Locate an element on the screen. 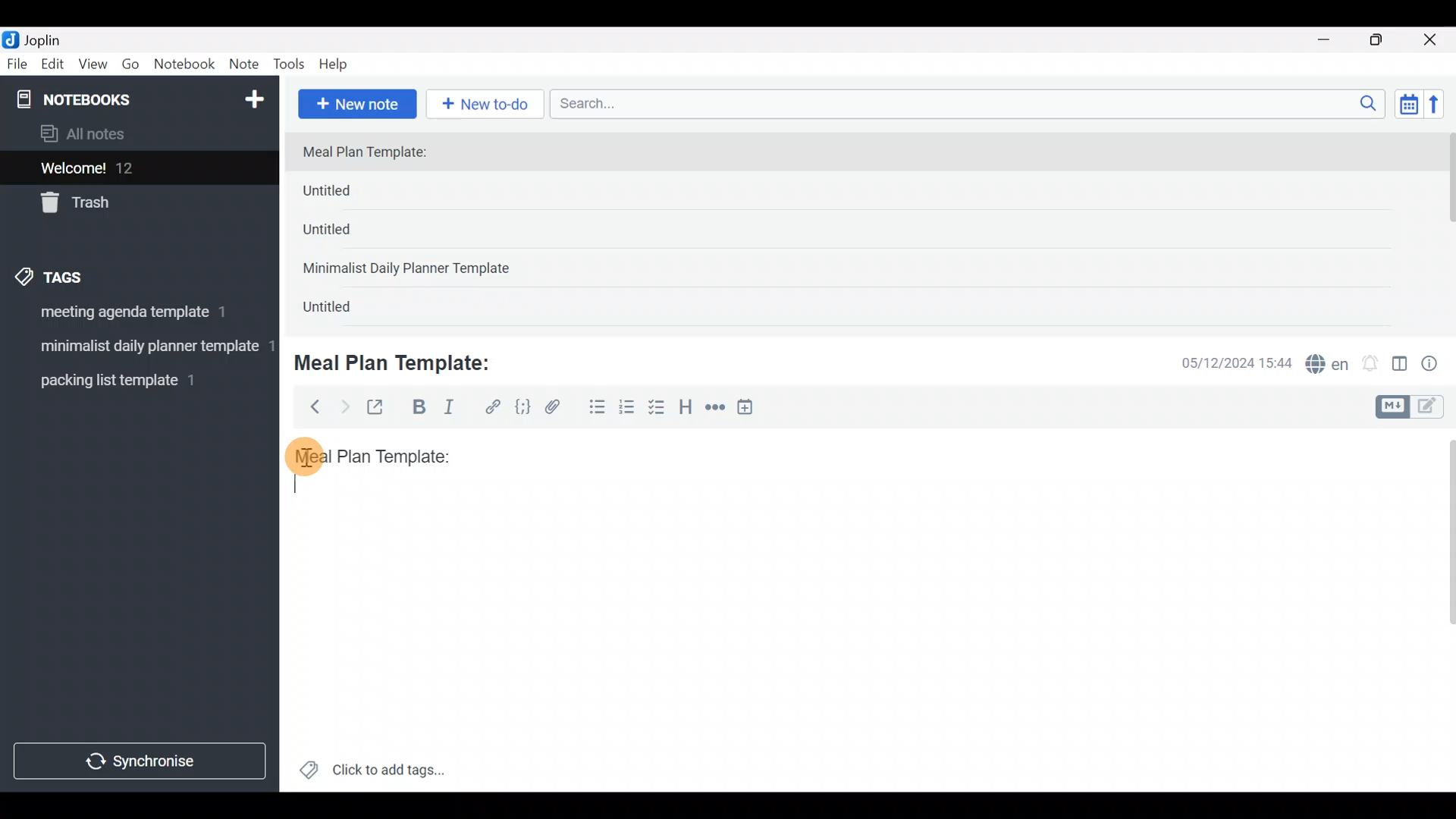 The height and width of the screenshot is (819, 1456). Synchronize is located at coordinates (142, 761).